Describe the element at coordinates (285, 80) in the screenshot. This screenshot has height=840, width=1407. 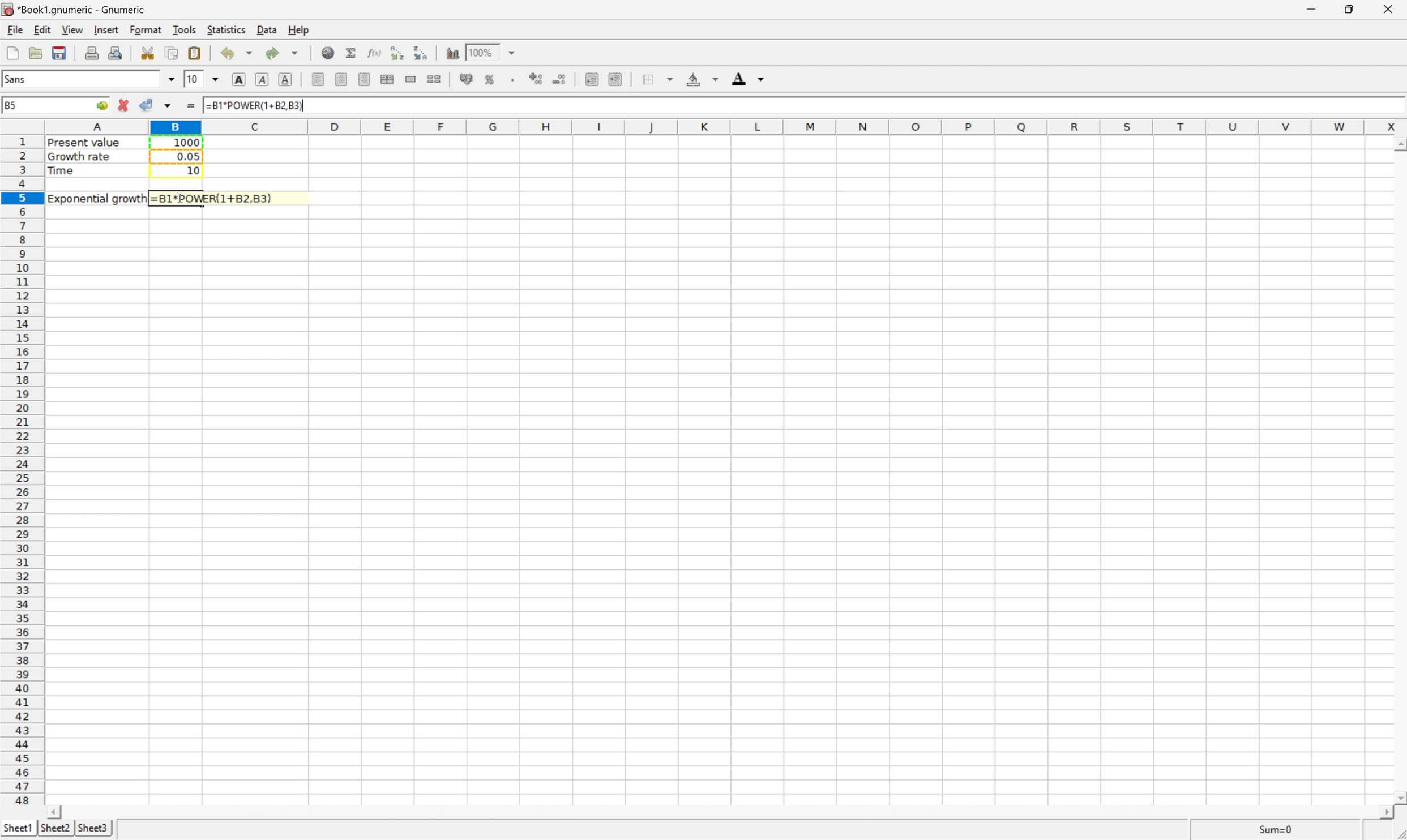
I see `Underline` at that location.